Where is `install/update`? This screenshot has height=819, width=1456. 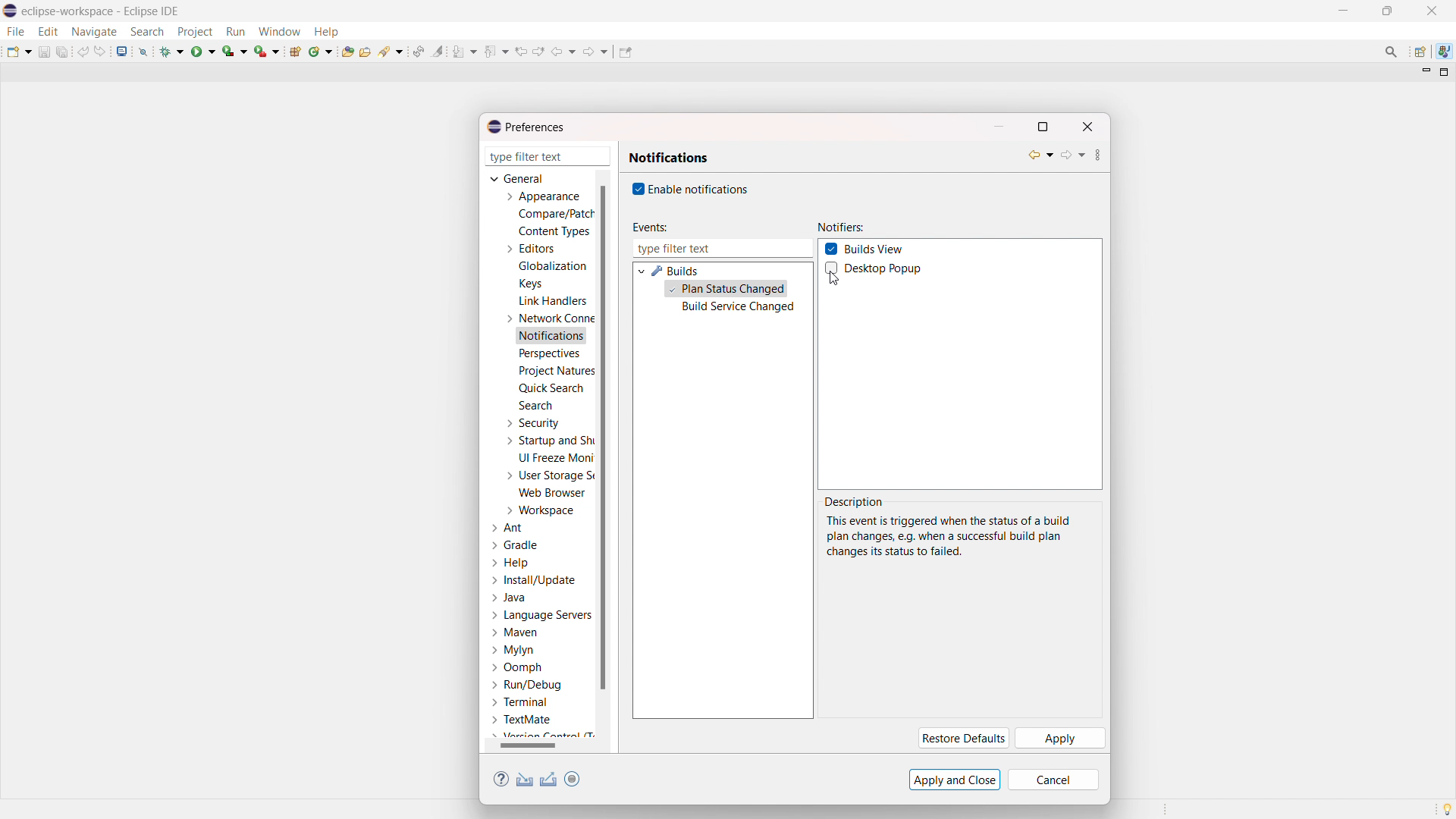
install/update is located at coordinates (535, 581).